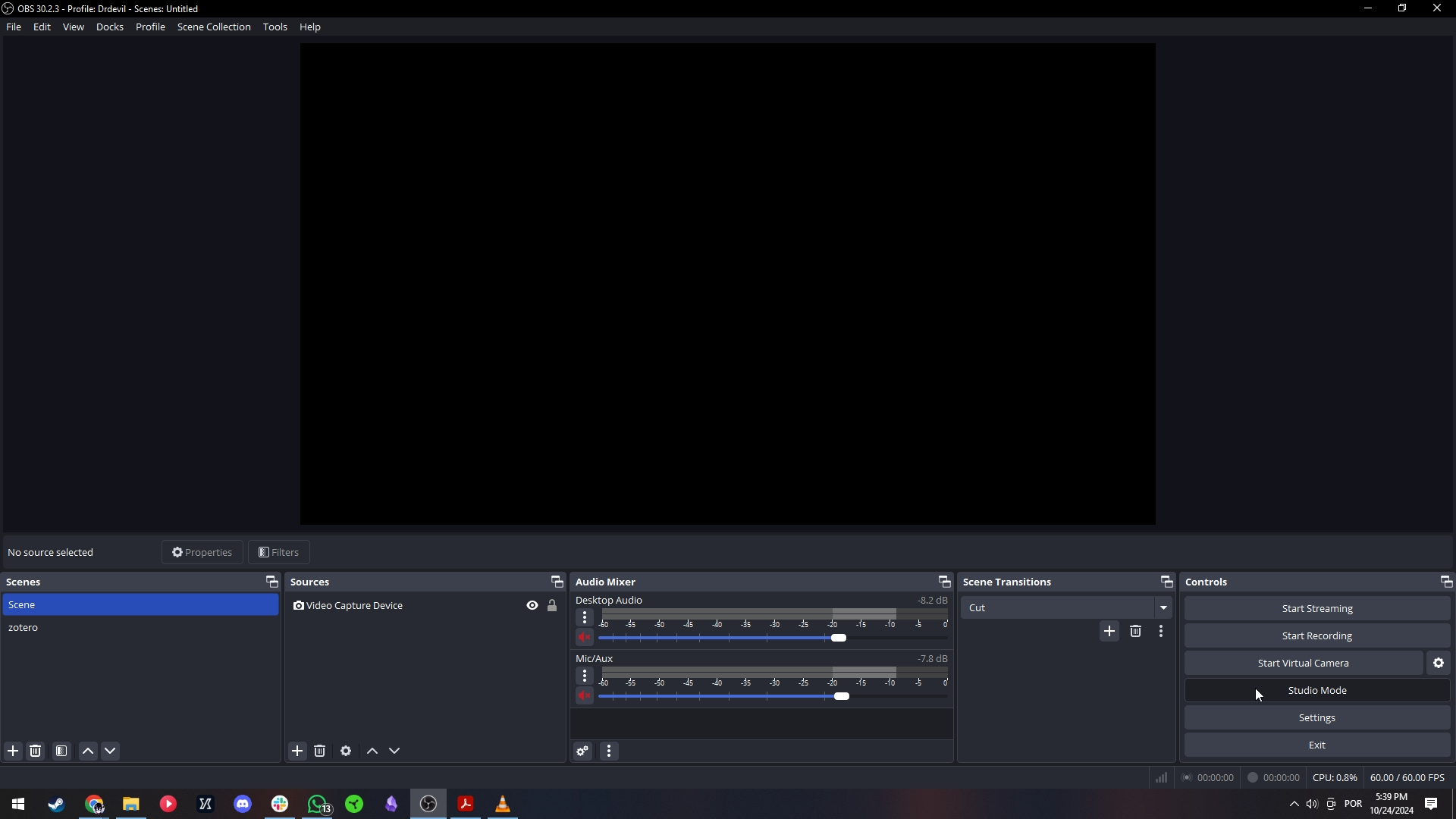  Describe the element at coordinates (129, 582) in the screenshot. I see `Scenes` at that location.